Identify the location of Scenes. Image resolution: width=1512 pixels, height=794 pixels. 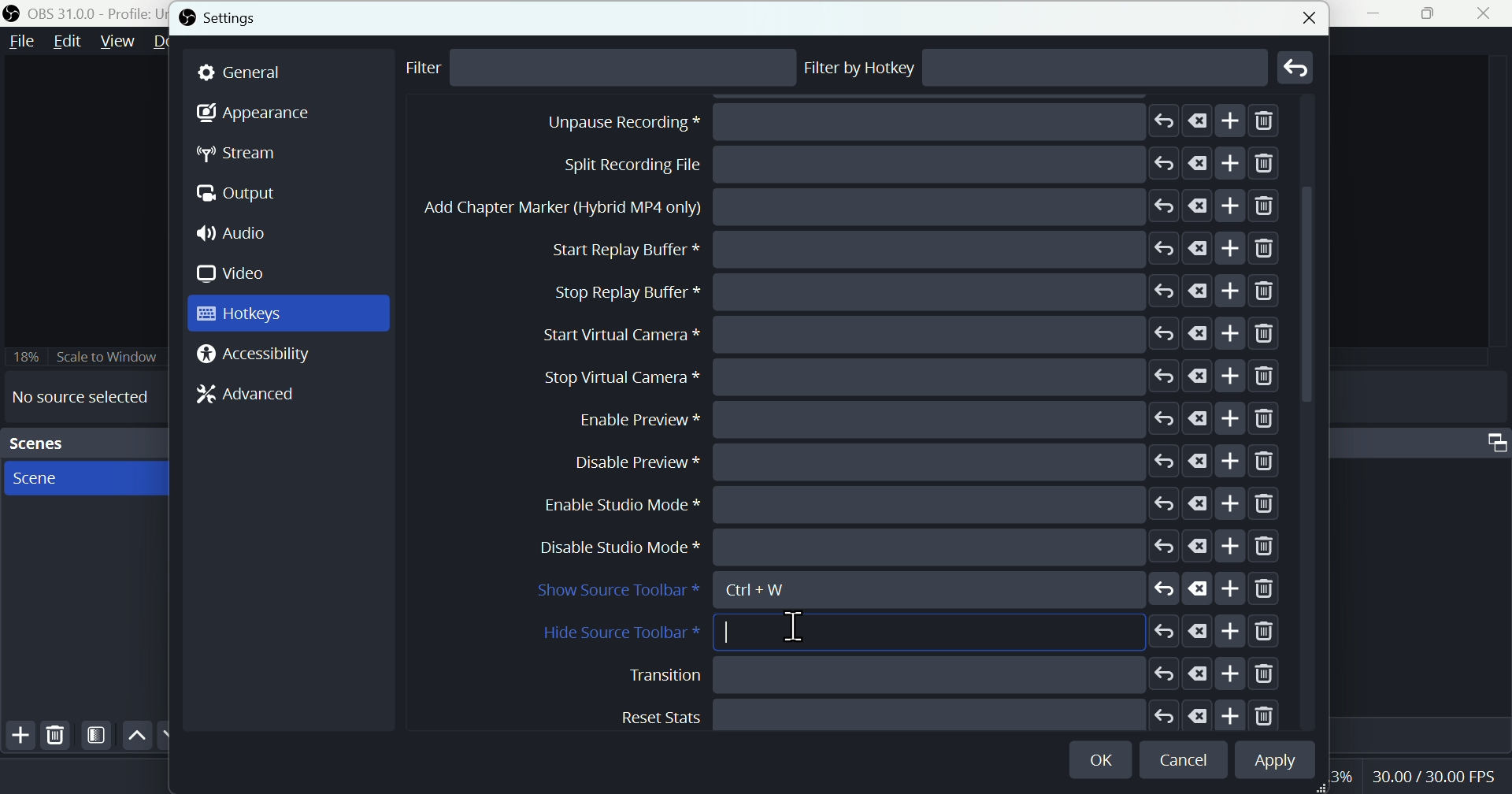
(82, 443).